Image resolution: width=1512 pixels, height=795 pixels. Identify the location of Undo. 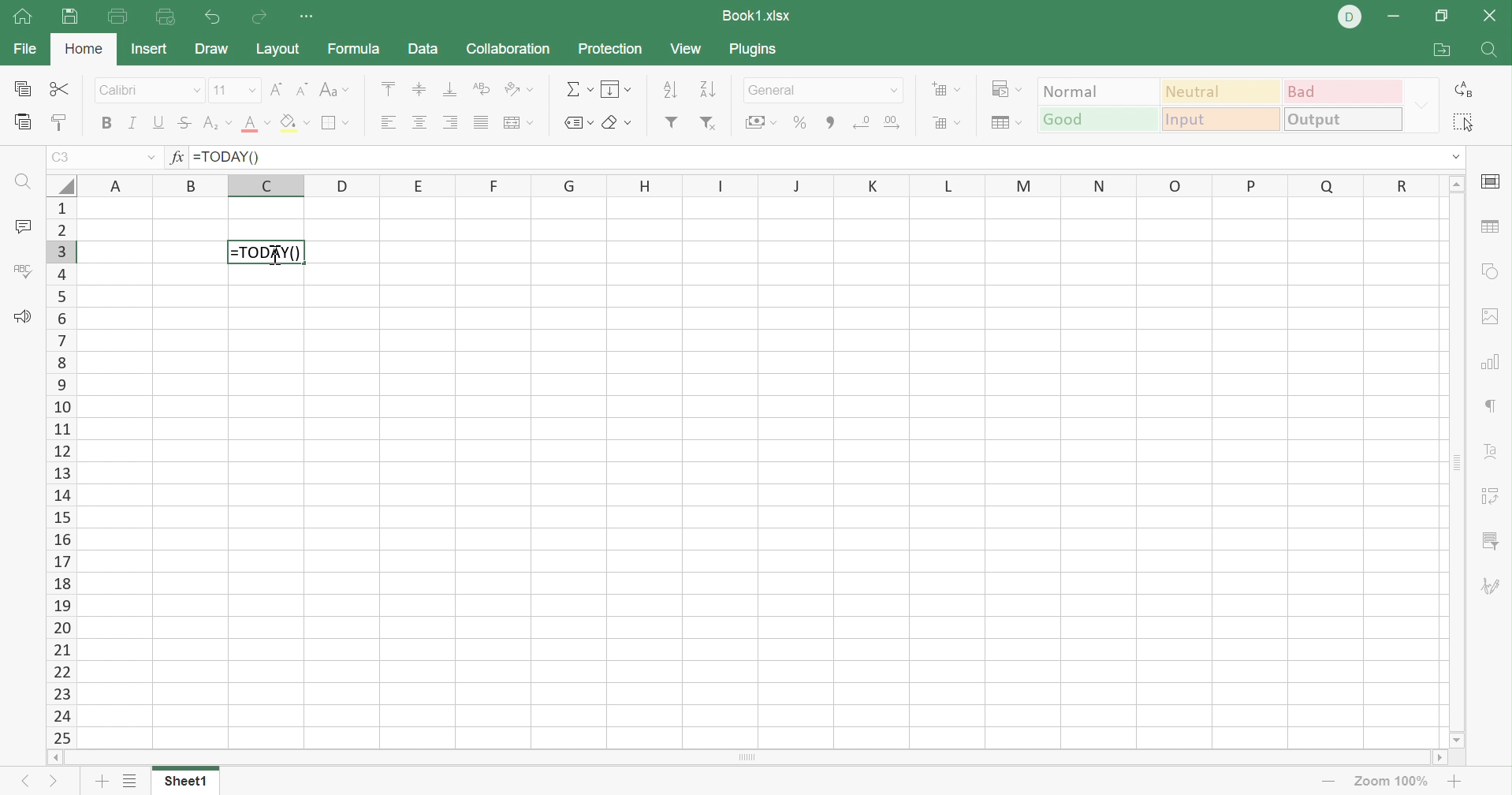
(214, 17).